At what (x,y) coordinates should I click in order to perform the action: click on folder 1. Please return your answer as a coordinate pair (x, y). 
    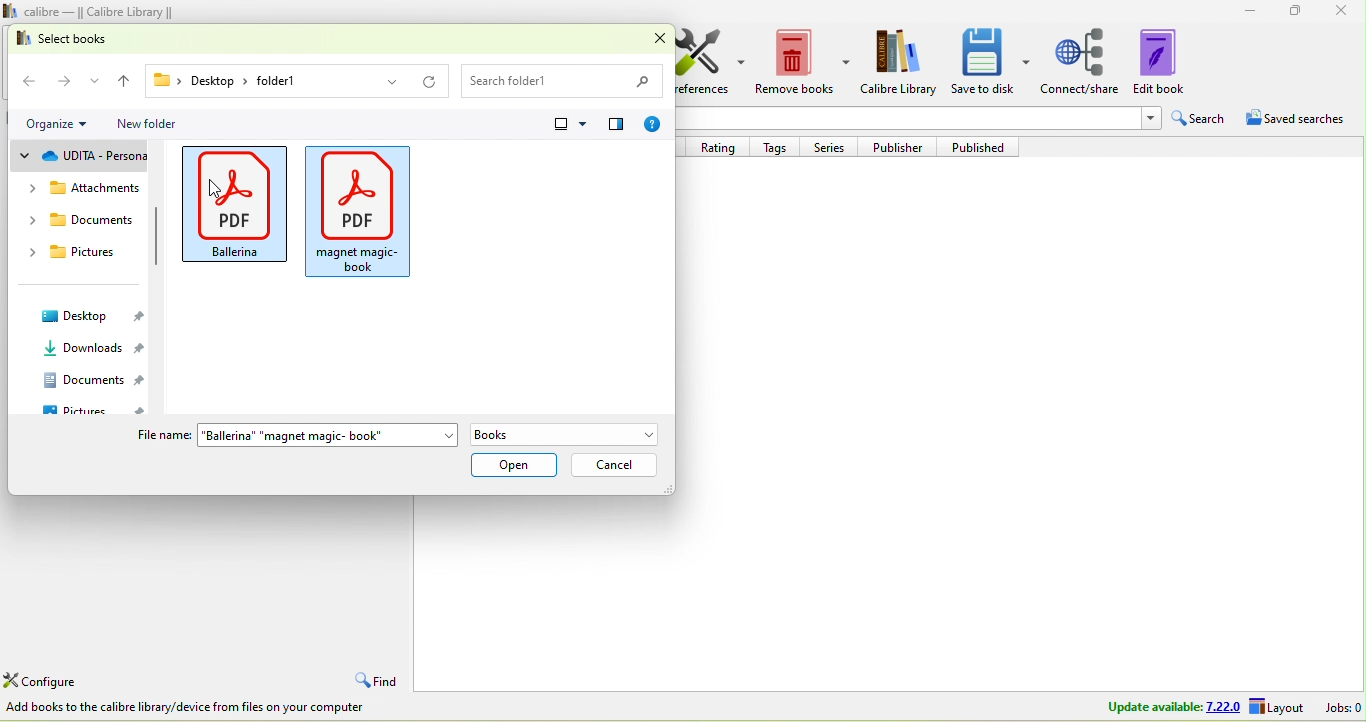
    Looking at the image, I should click on (330, 81).